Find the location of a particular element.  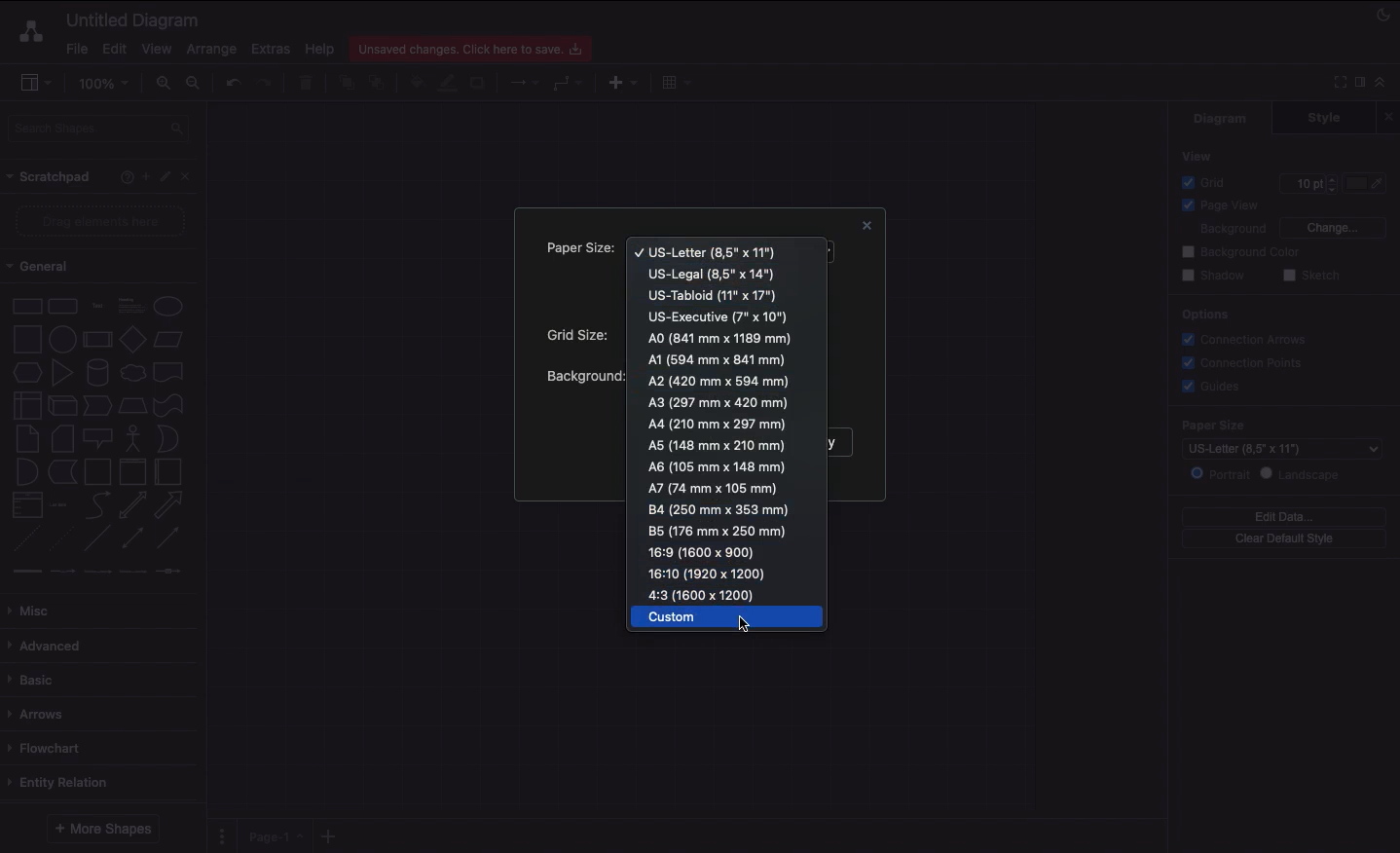

Table is located at coordinates (674, 81).